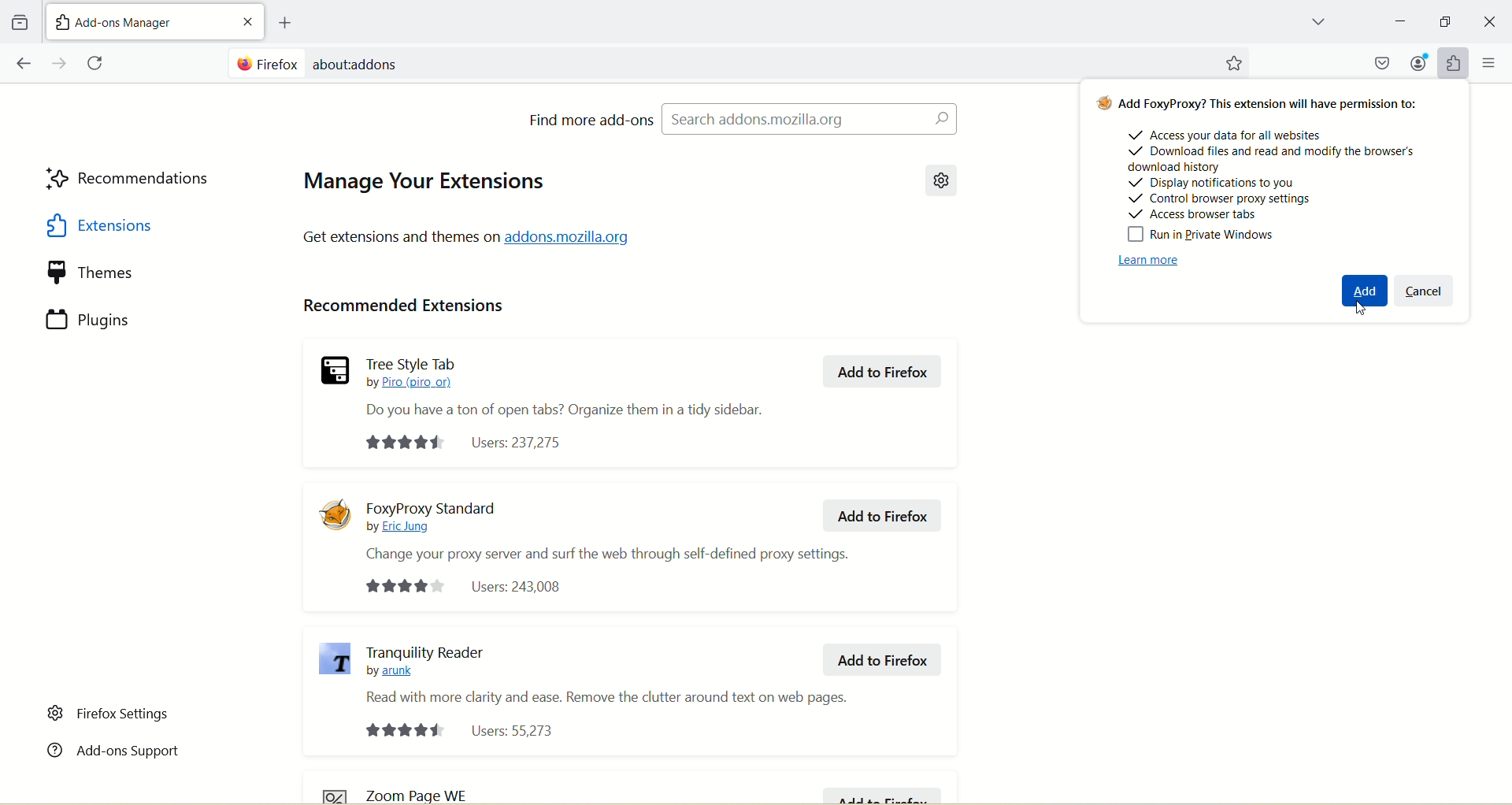  Describe the element at coordinates (1362, 307) in the screenshot. I see `Cursor` at that location.